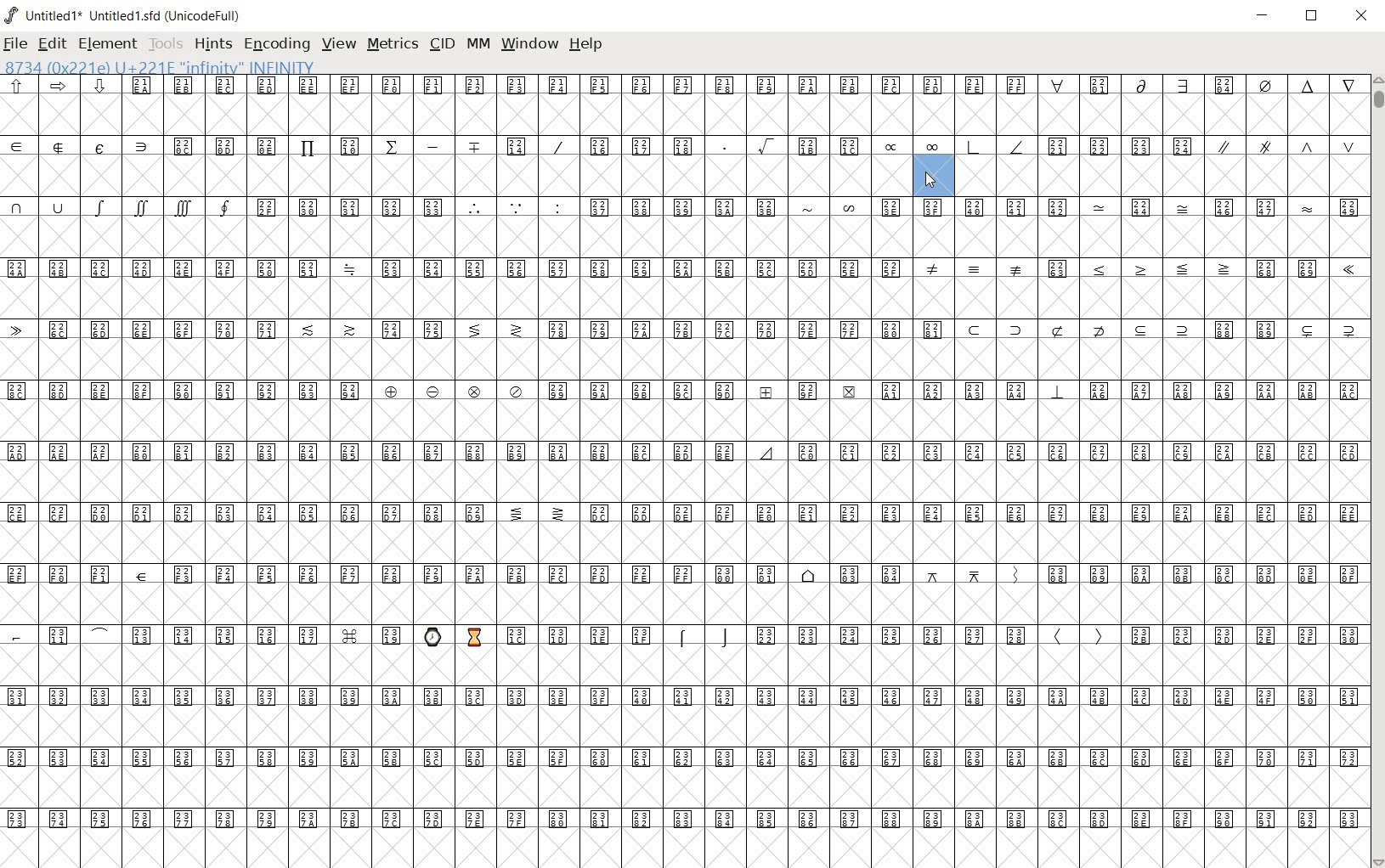 The height and width of the screenshot is (868, 1385). What do you see at coordinates (976, 268) in the screenshot?
I see `symbols` at bounding box center [976, 268].